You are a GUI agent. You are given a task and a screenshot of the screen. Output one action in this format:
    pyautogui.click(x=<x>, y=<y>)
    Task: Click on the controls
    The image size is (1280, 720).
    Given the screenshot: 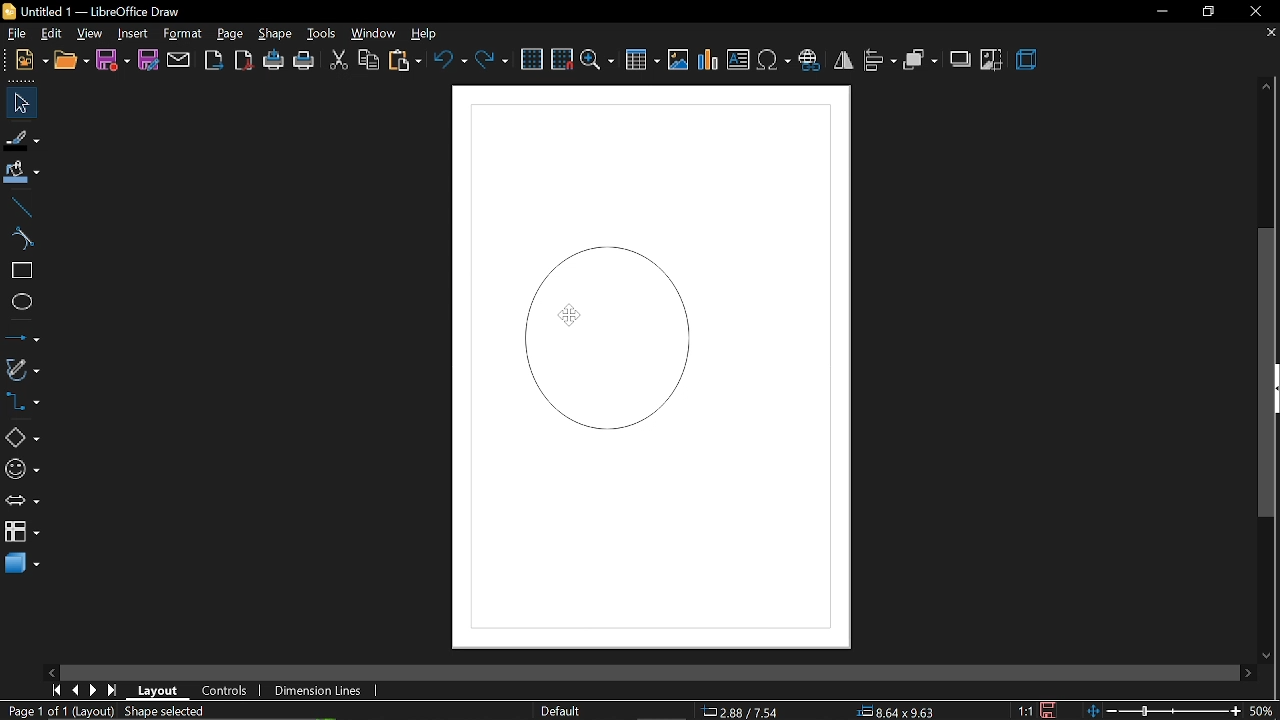 What is the action you would take?
    pyautogui.click(x=223, y=690)
    